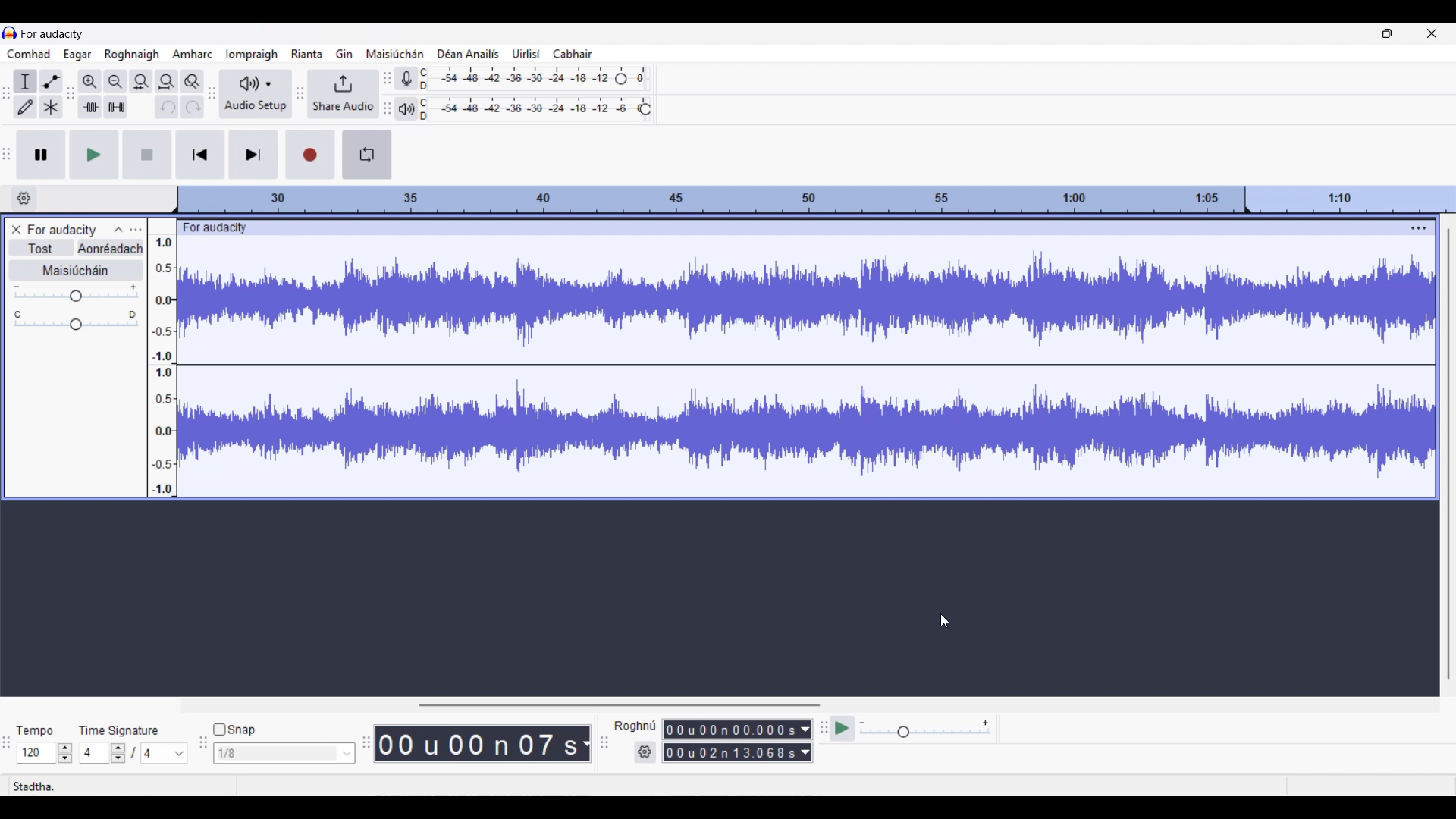 This screenshot has height=819, width=1456. Describe the element at coordinates (51, 106) in the screenshot. I see `Multi-tool` at that location.